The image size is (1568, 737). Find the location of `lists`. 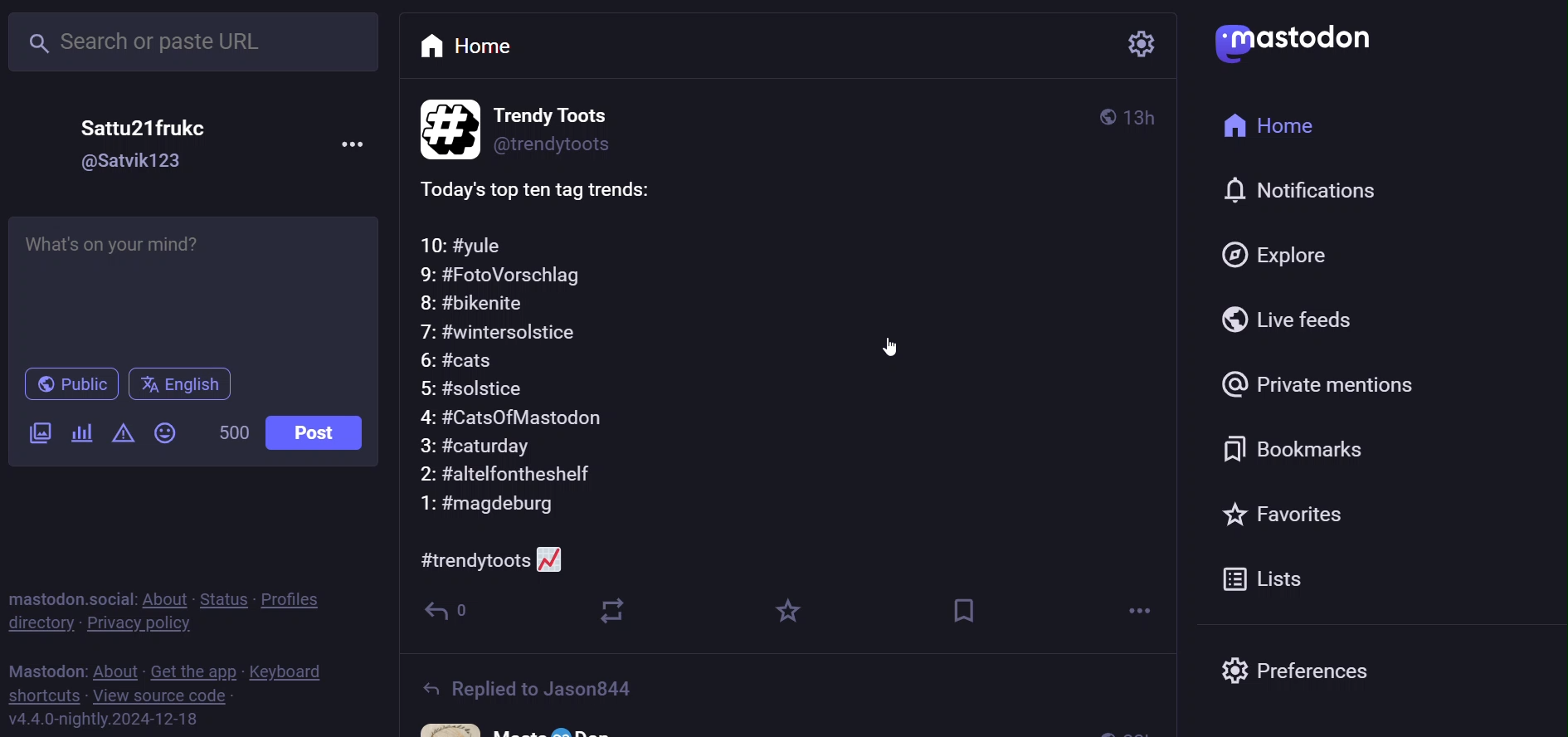

lists is located at coordinates (1266, 581).